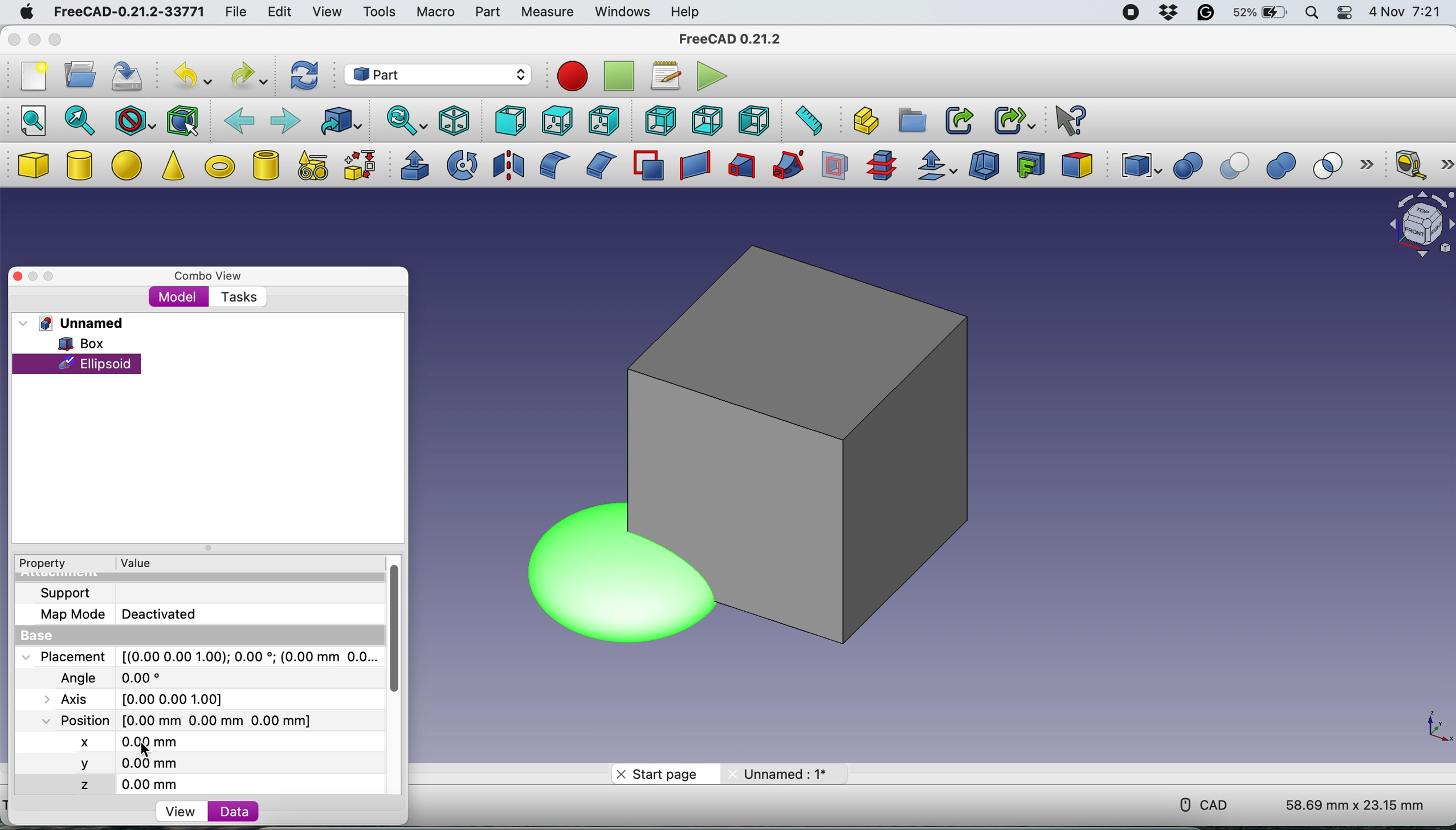 The width and height of the screenshot is (1456, 830). I want to click on value, so click(134, 563).